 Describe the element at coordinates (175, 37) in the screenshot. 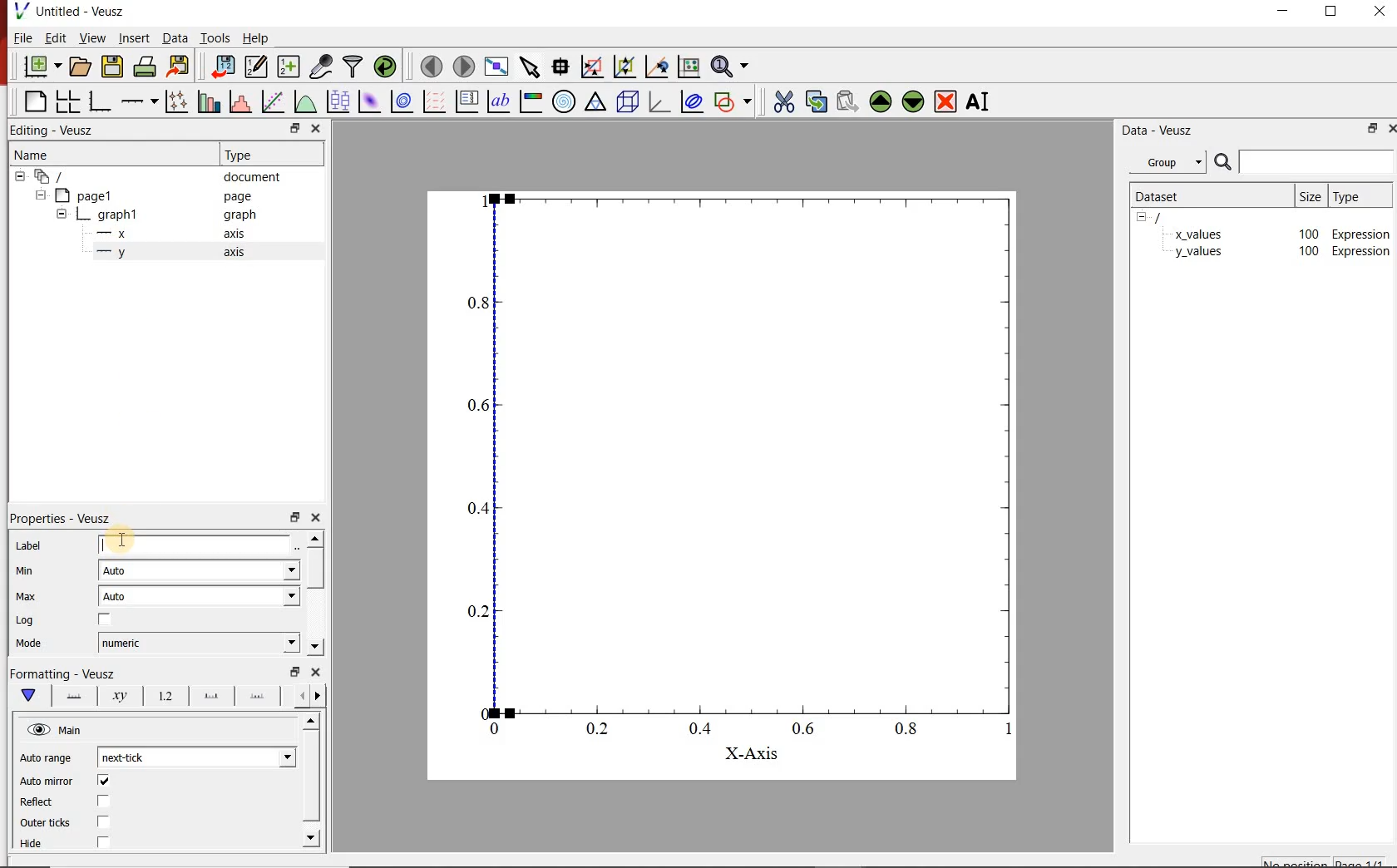

I see `data` at that location.